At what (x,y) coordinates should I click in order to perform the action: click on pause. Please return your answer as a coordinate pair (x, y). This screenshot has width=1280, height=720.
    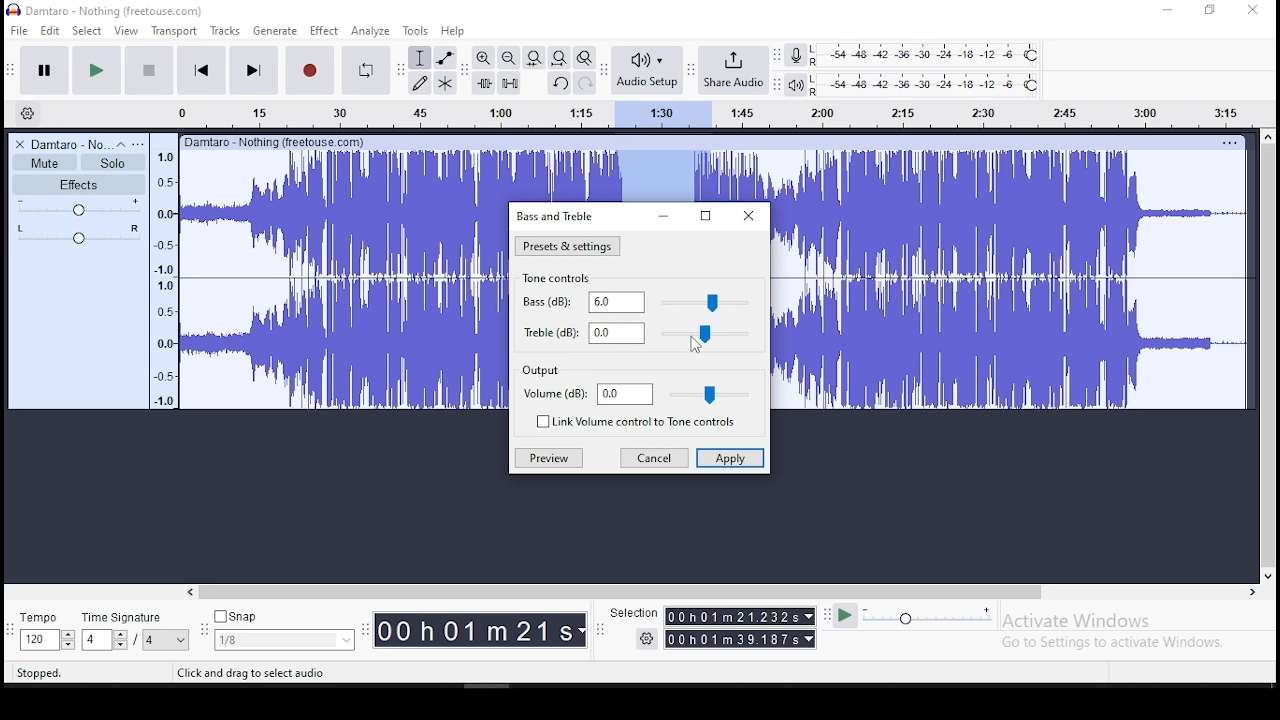
    Looking at the image, I should click on (46, 71).